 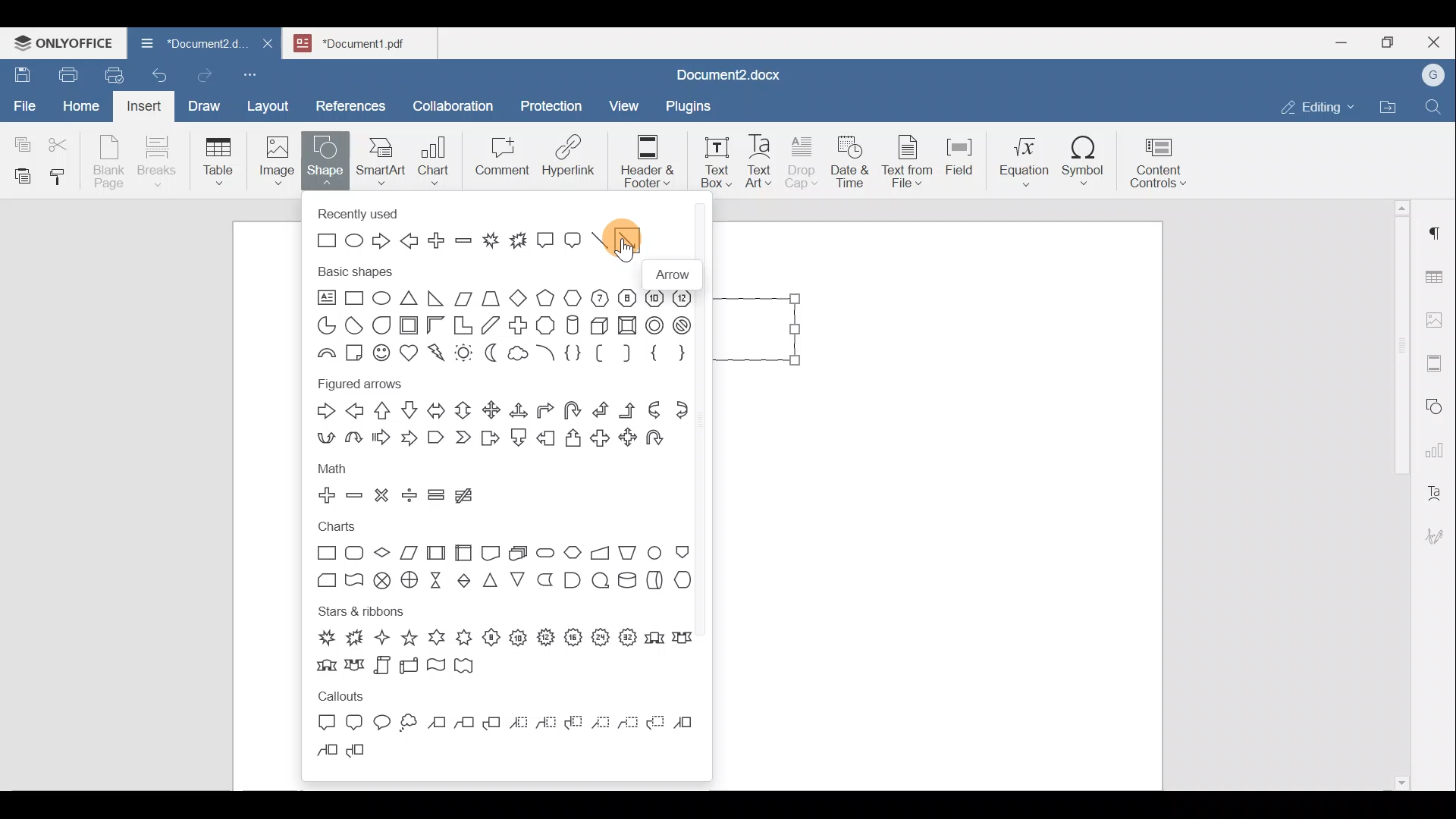 What do you see at coordinates (156, 73) in the screenshot?
I see `Undo` at bounding box center [156, 73].